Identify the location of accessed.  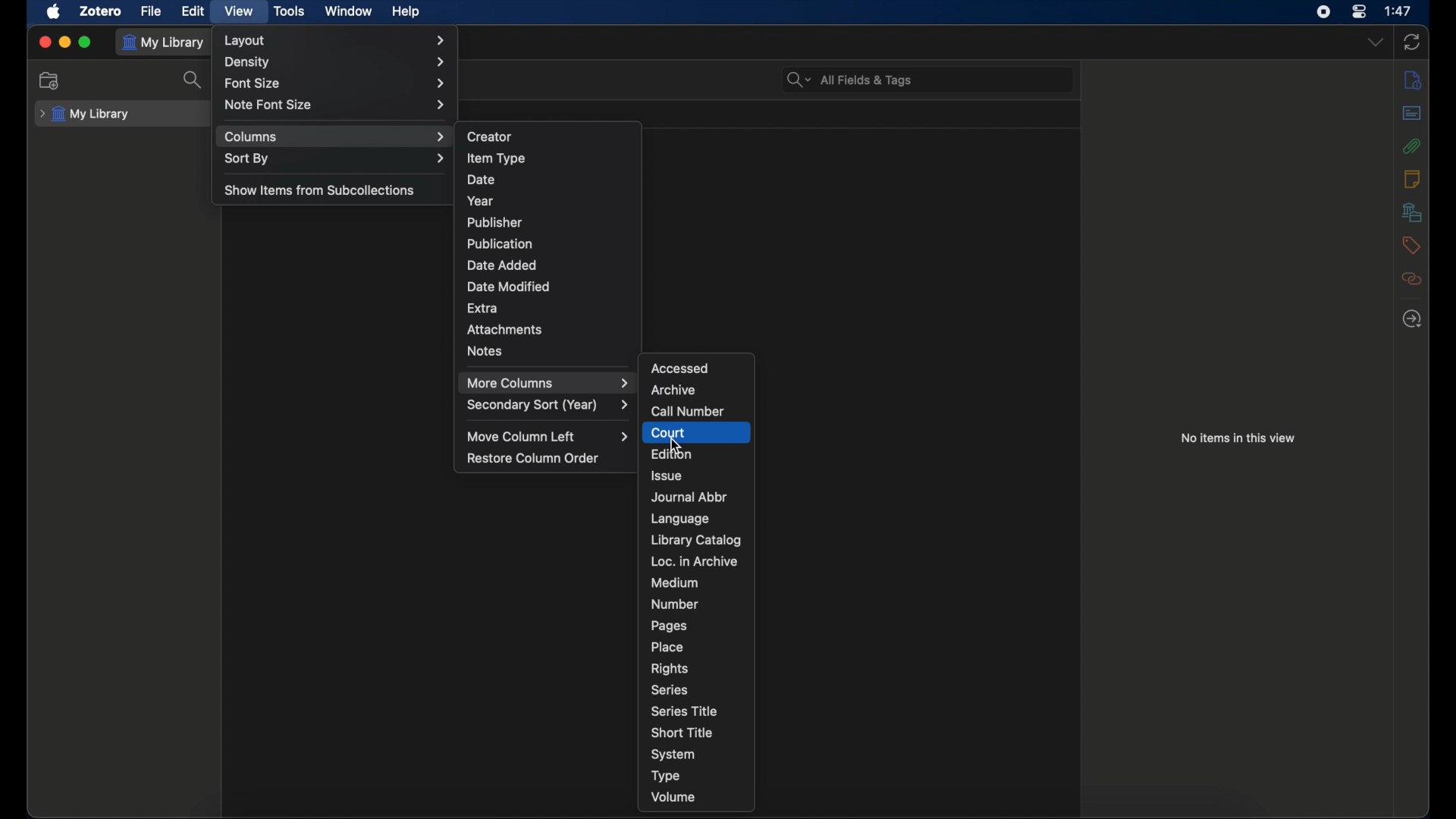
(681, 368).